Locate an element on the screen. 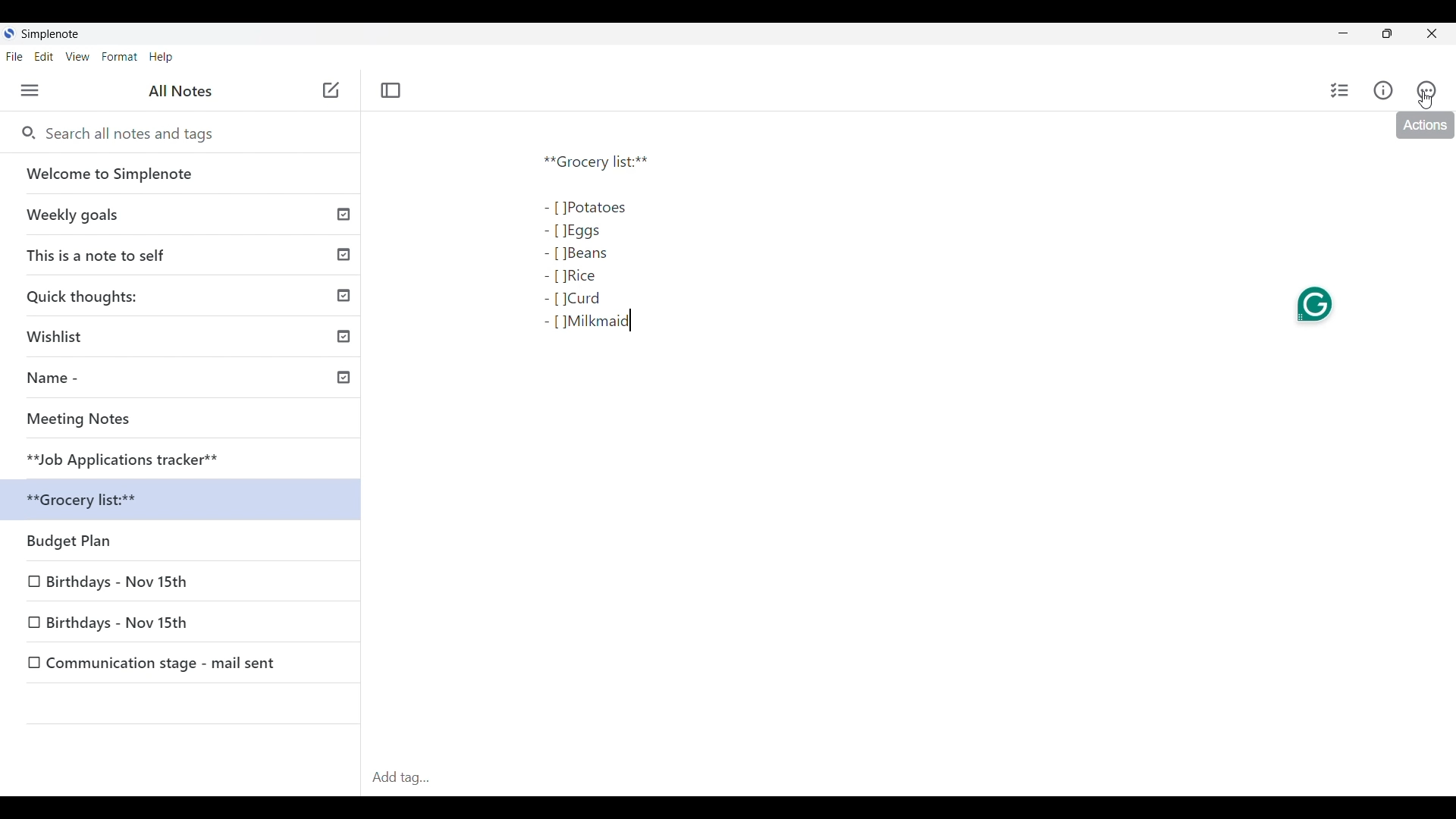 This screenshot has height=819, width=1456. **Job Applications tracker** is located at coordinates (185, 460).